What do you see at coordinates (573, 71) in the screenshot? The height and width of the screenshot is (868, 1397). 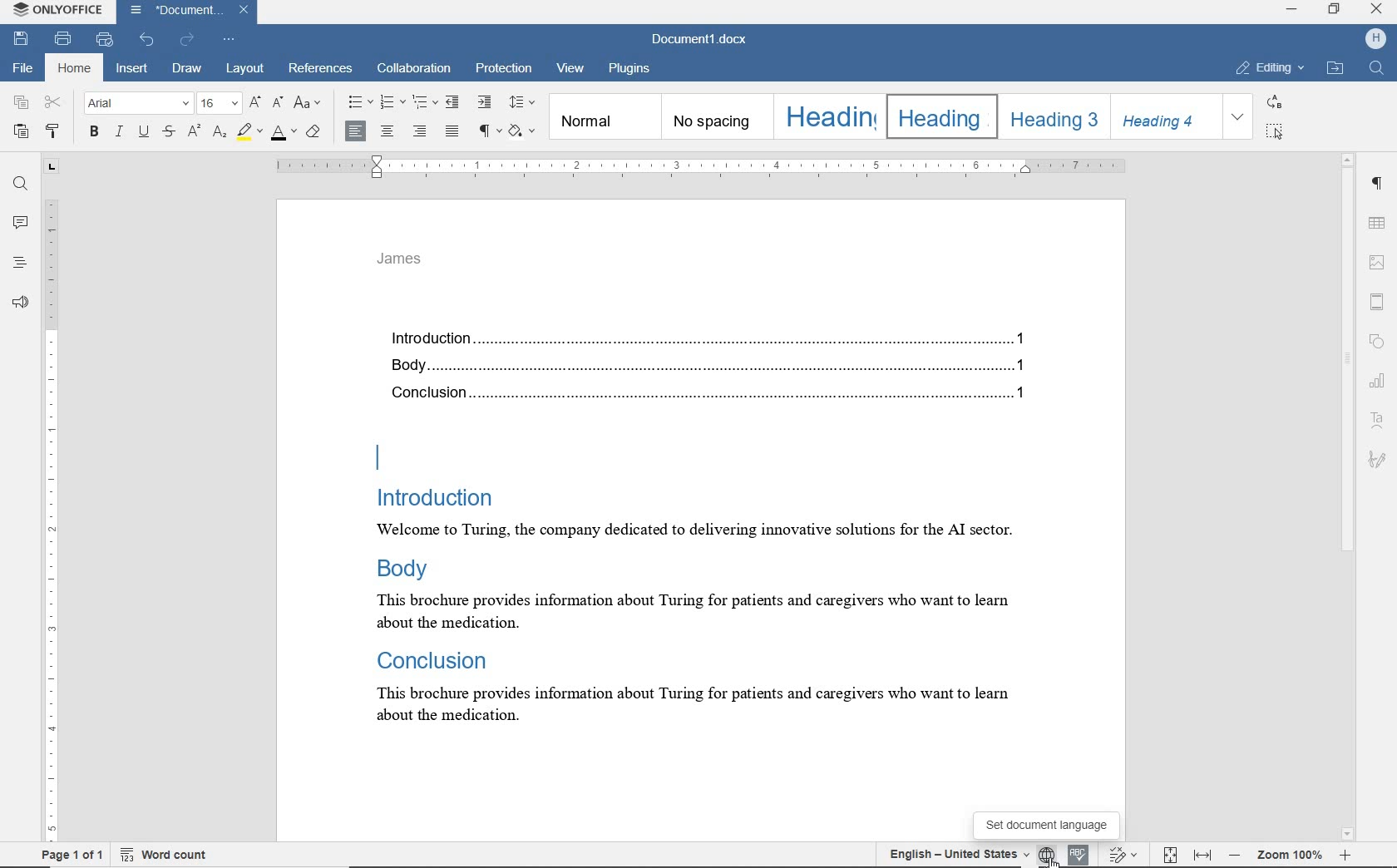 I see `view` at bounding box center [573, 71].